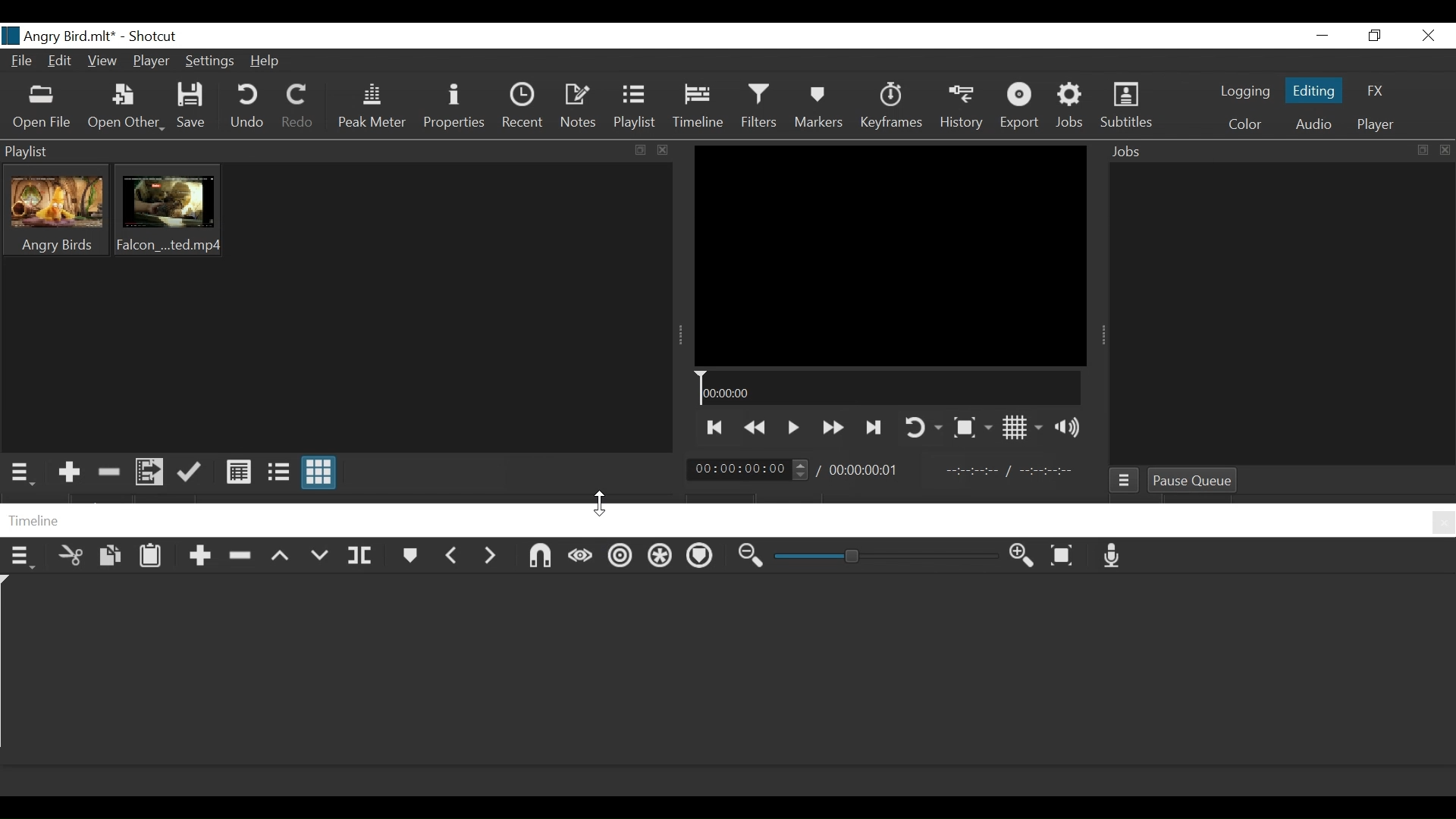 This screenshot has width=1456, height=819. Describe the element at coordinates (151, 36) in the screenshot. I see `Shotcut` at that location.